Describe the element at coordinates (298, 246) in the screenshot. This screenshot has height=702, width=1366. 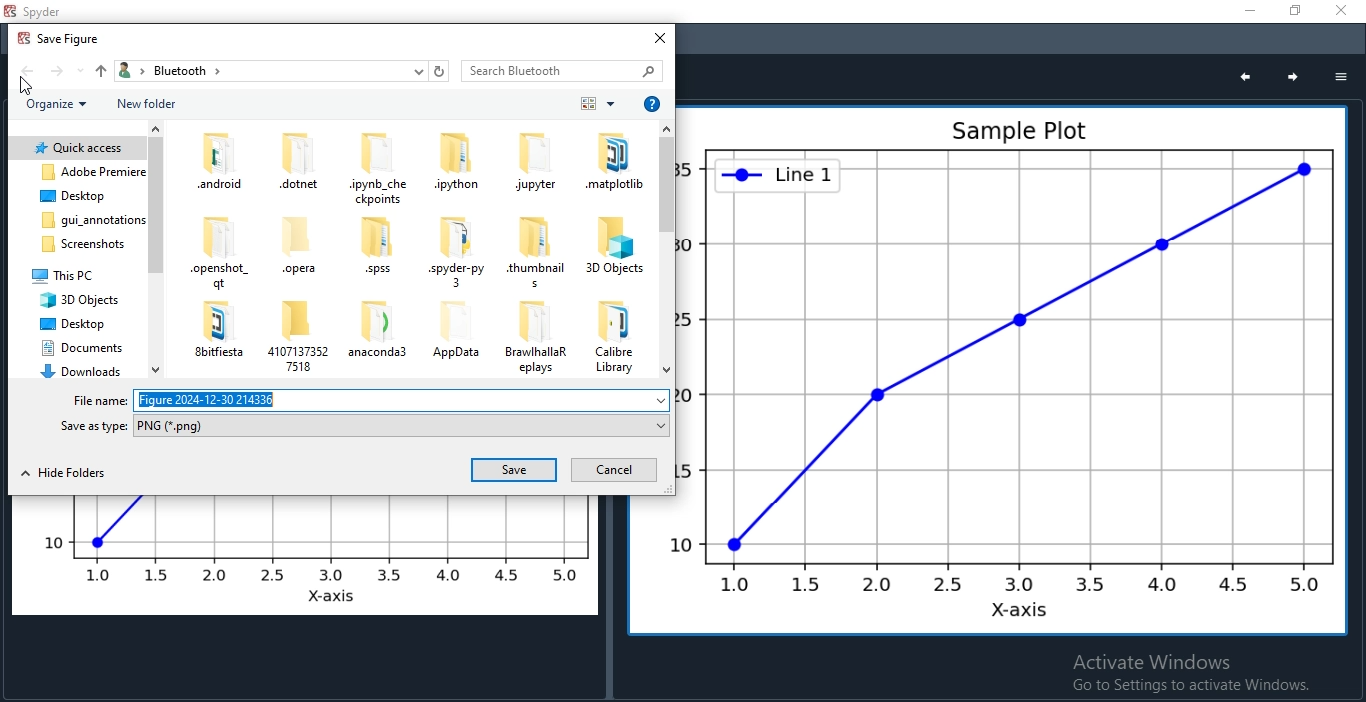
I see `files` at that location.